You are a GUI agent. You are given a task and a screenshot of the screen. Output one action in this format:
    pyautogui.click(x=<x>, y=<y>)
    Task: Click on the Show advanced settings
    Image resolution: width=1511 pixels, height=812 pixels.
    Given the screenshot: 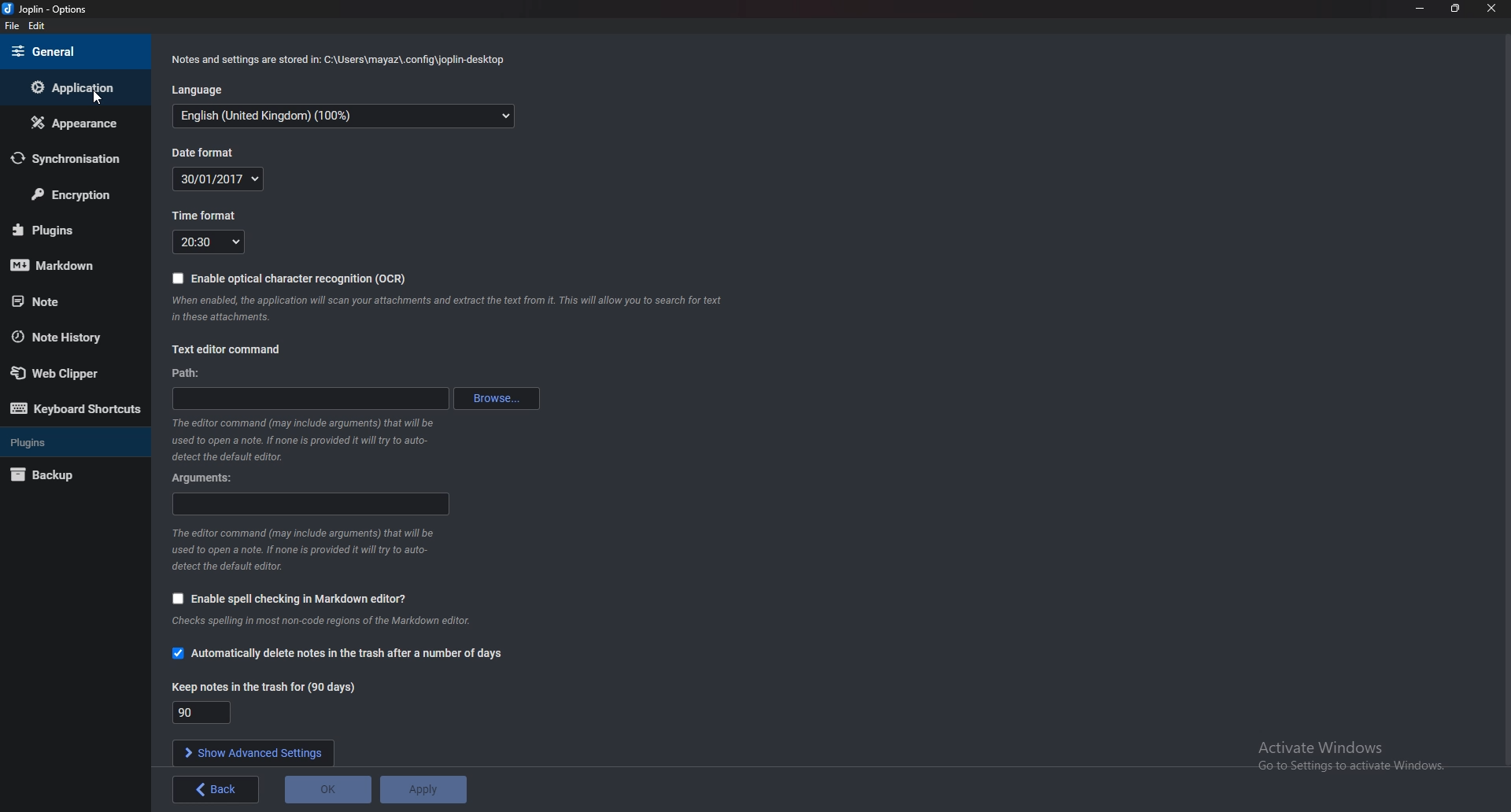 What is the action you would take?
    pyautogui.click(x=253, y=753)
    